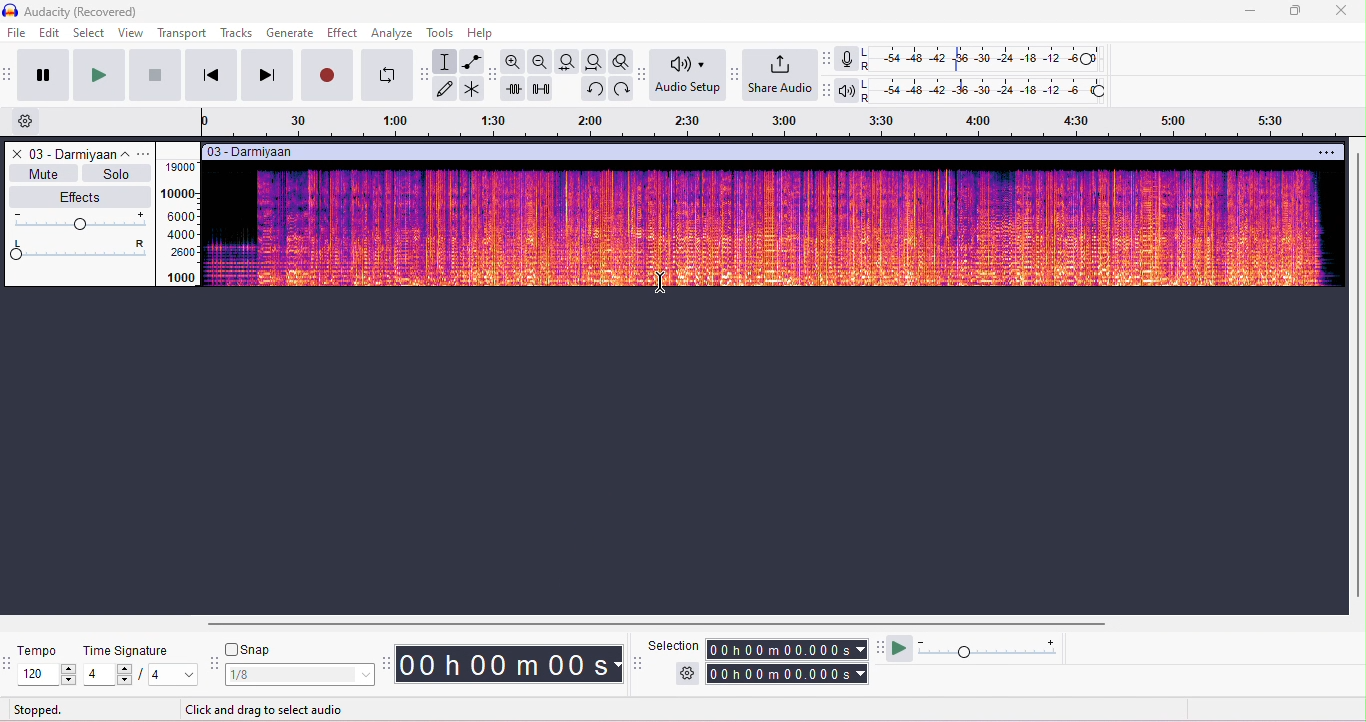 This screenshot has height=722, width=1366. What do you see at coordinates (387, 76) in the screenshot?
I see `loop` at bounding box center [387, 76].